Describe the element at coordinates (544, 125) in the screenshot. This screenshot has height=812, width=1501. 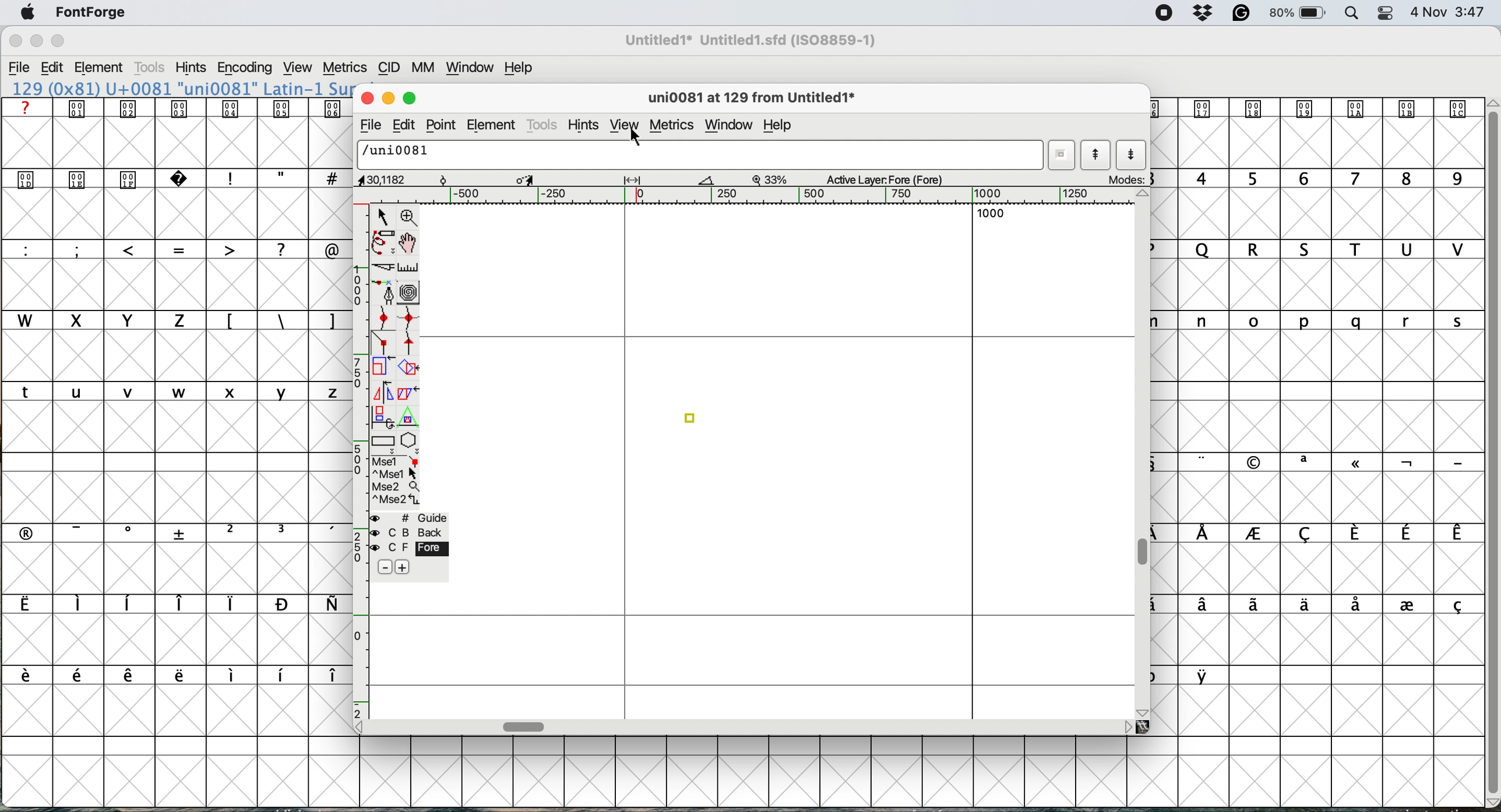
I see `tools` at that location.